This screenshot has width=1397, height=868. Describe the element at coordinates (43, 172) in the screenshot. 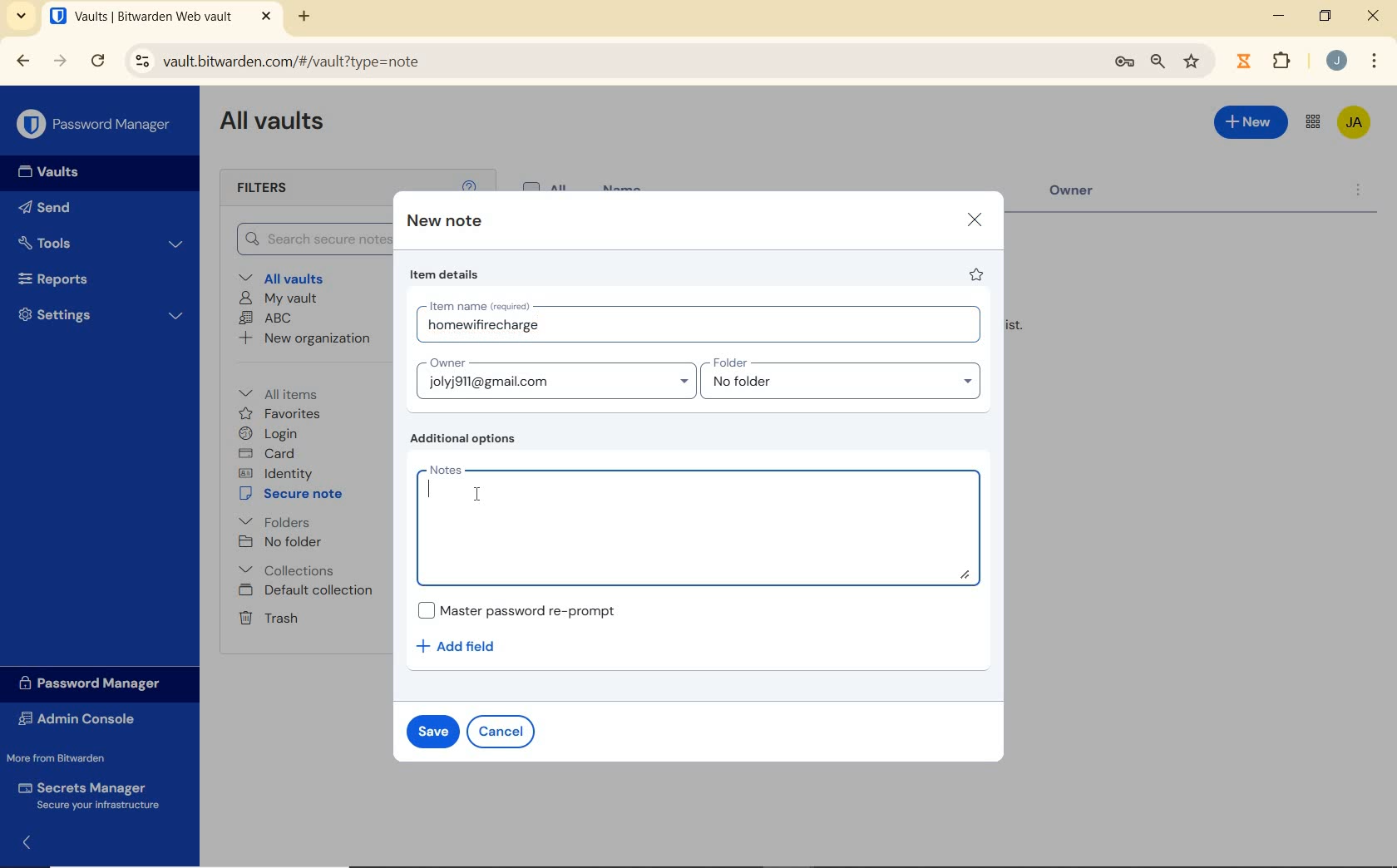

I see `Vaults` at that location.